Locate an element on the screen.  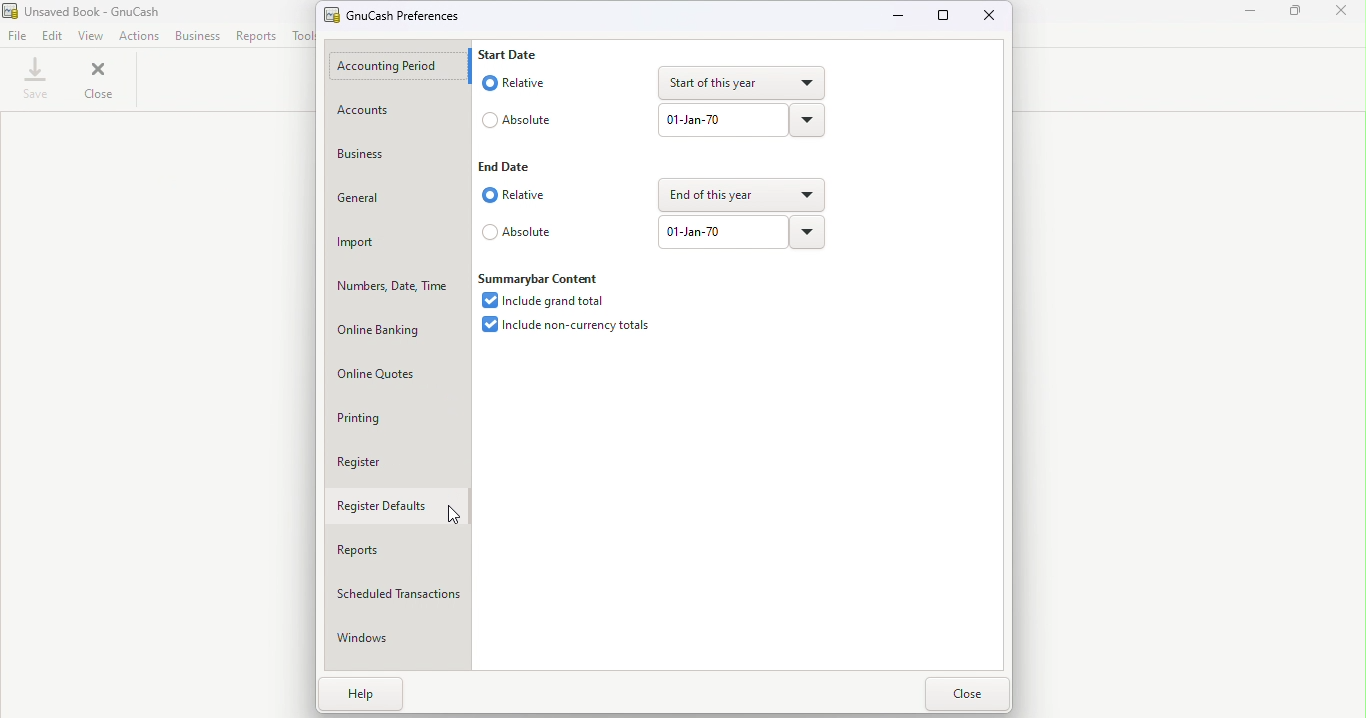
Accounting period is located at coordinates (400, 66).